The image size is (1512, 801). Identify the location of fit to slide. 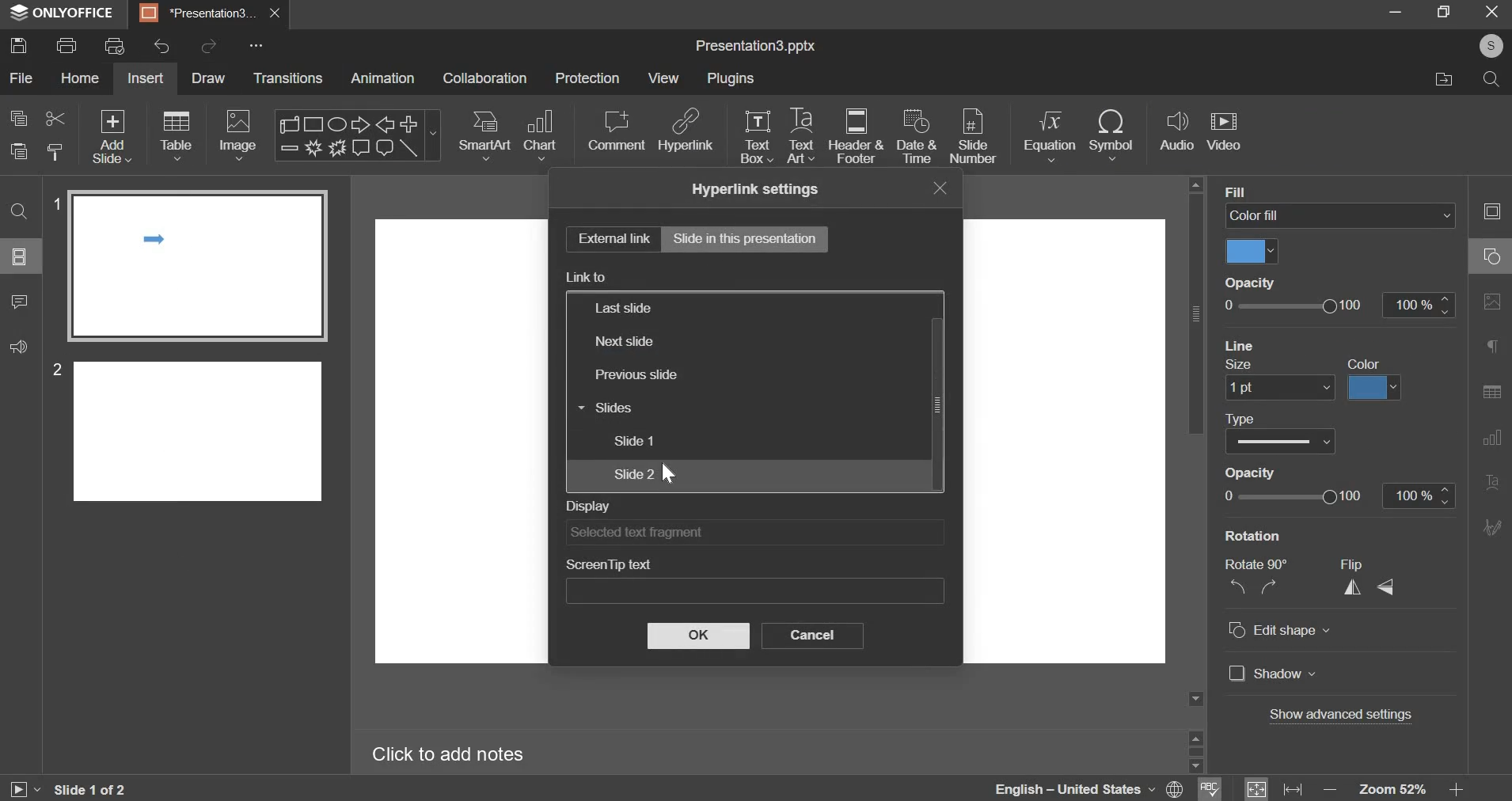
(1256, 789).